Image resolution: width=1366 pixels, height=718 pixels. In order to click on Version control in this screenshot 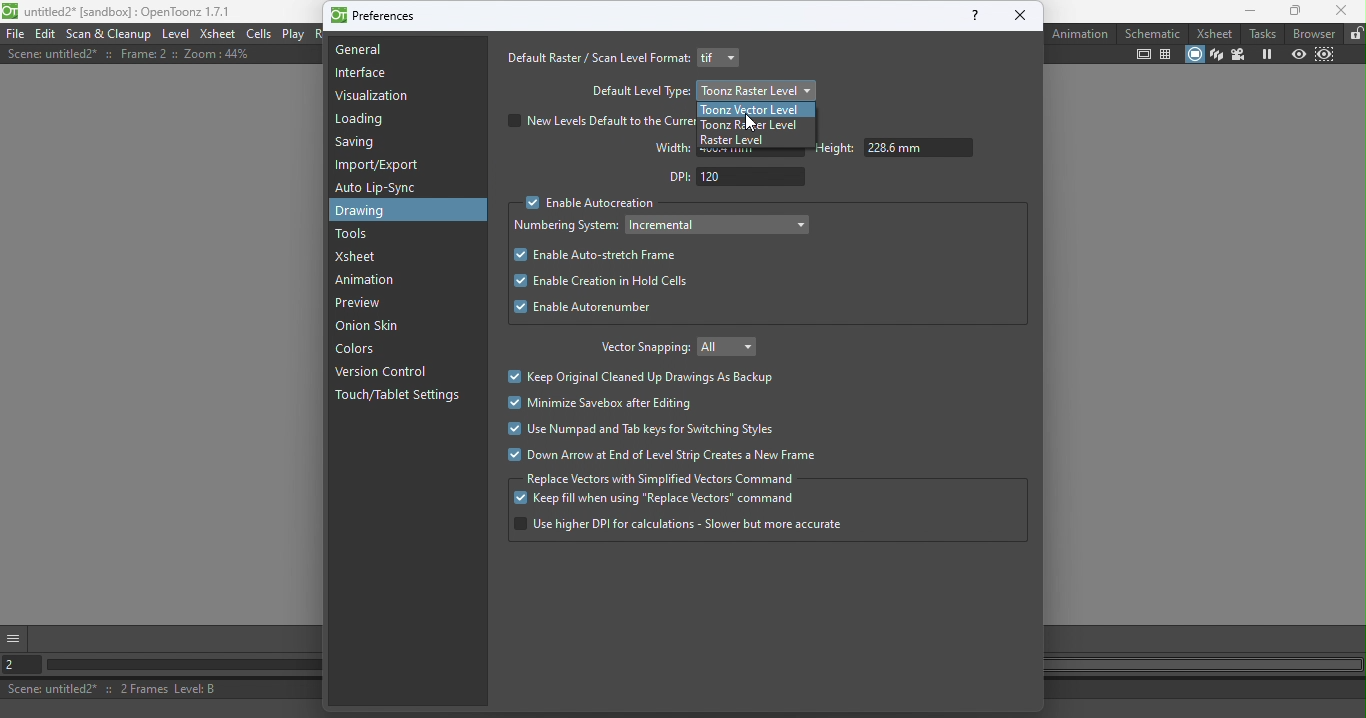, I will do `click(385, 373)`.